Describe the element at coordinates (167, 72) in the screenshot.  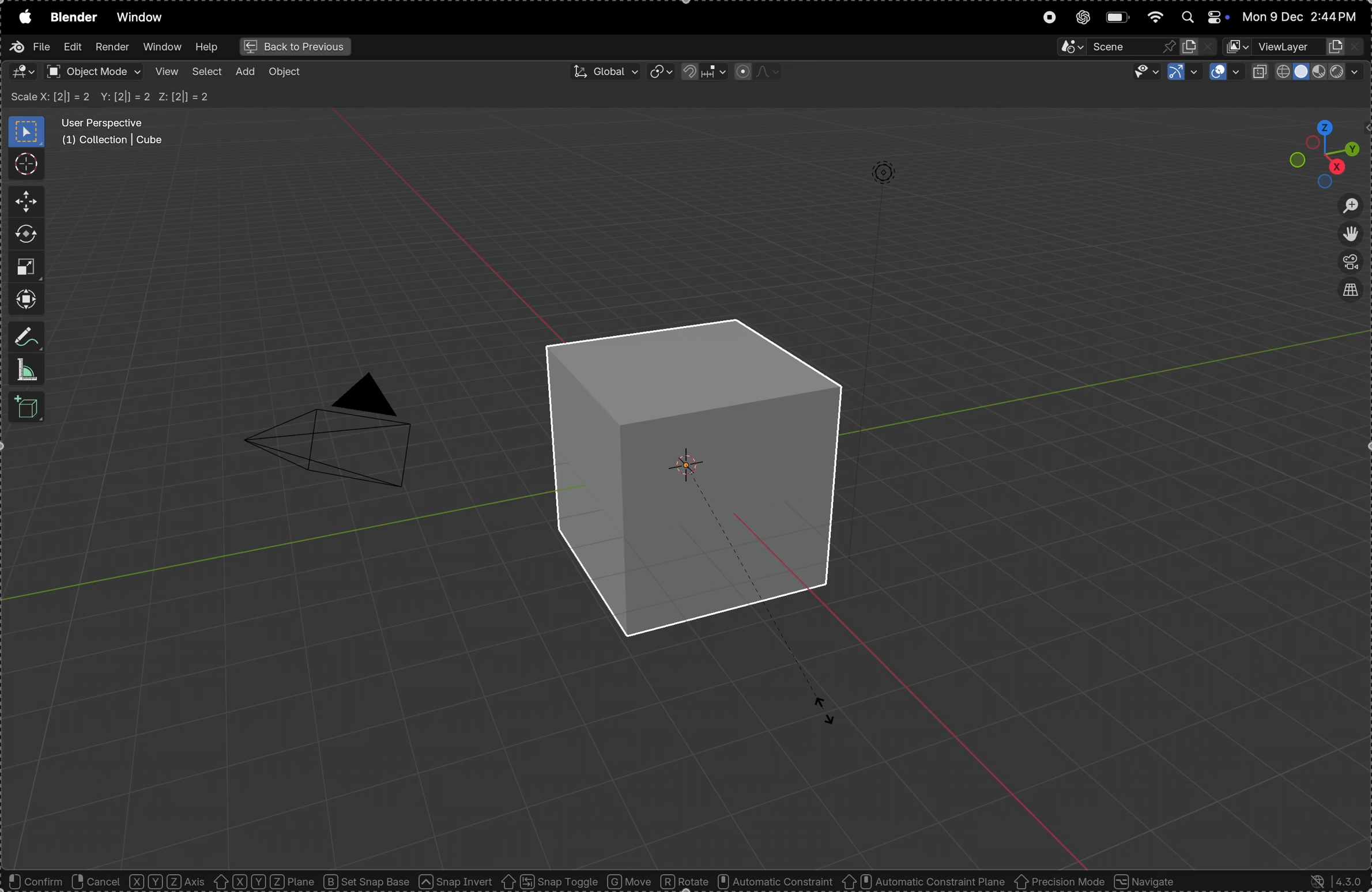
I see `view` at that location.